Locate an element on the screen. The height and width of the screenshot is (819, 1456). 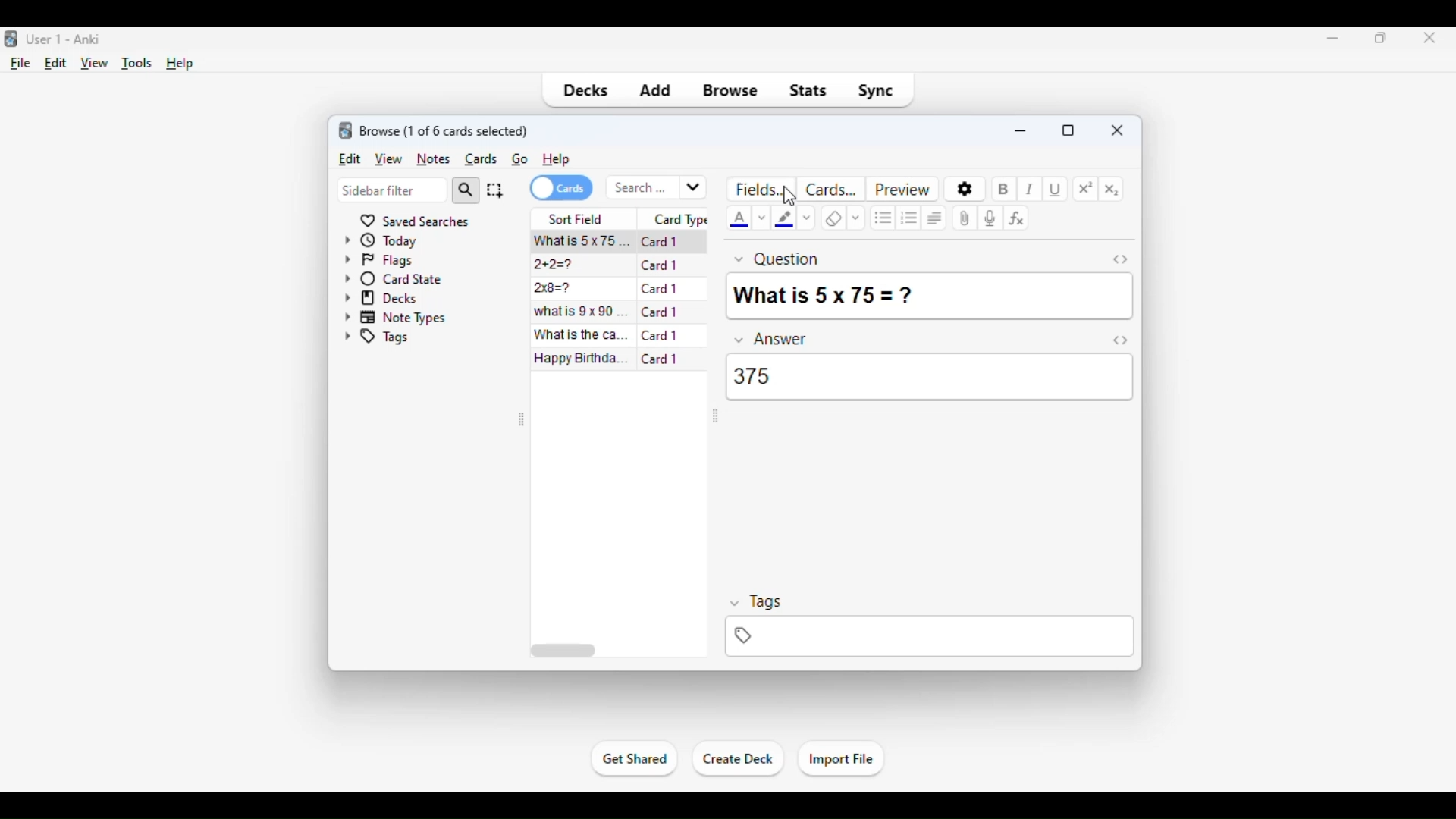
card 1 is located at coordinates (660, 265).